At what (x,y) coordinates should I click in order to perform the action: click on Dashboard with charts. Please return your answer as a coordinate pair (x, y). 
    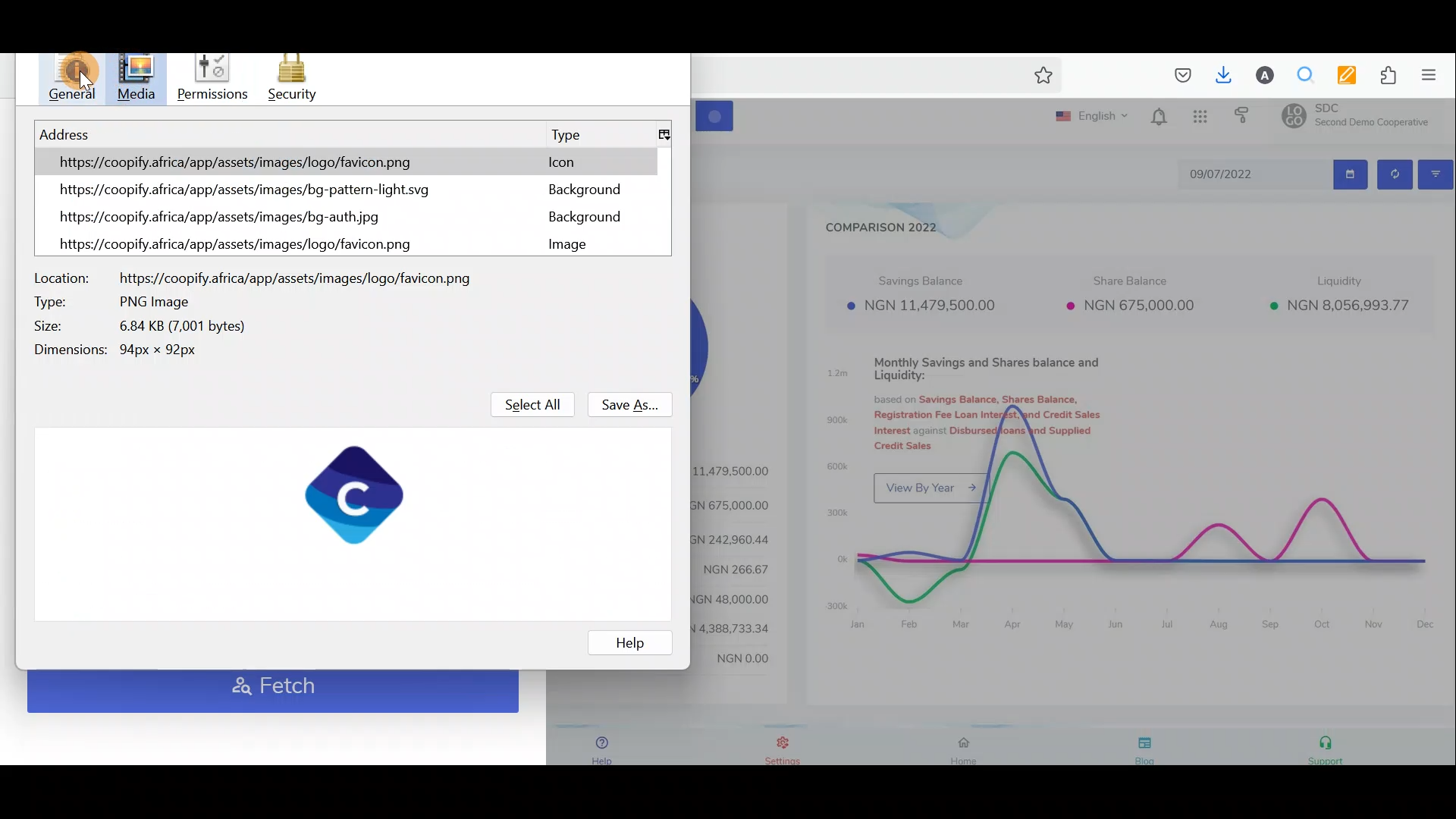
    Looking at the image, I should click on (1075, 438).